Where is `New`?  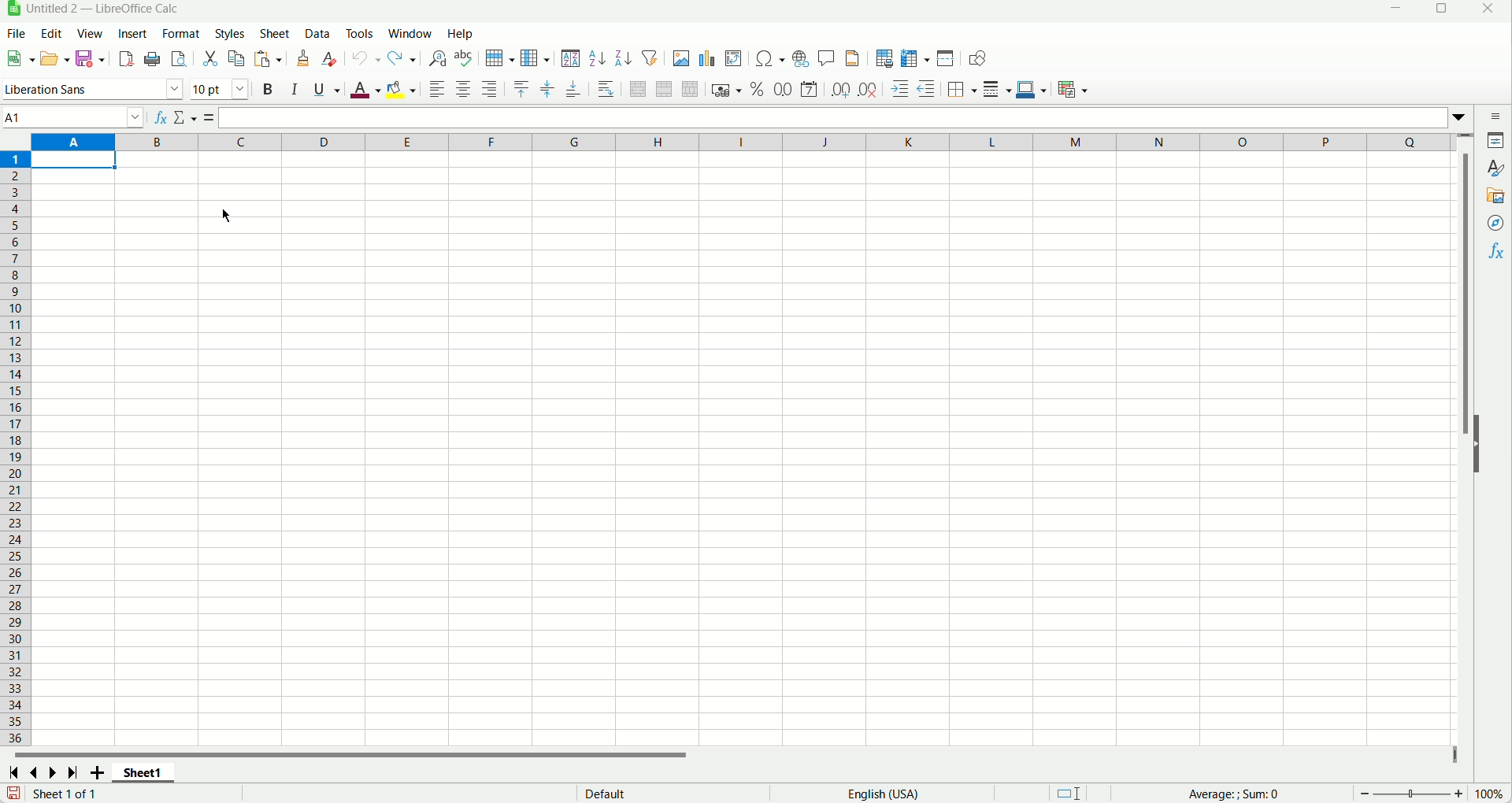 New is located at coordinates (20, 55).